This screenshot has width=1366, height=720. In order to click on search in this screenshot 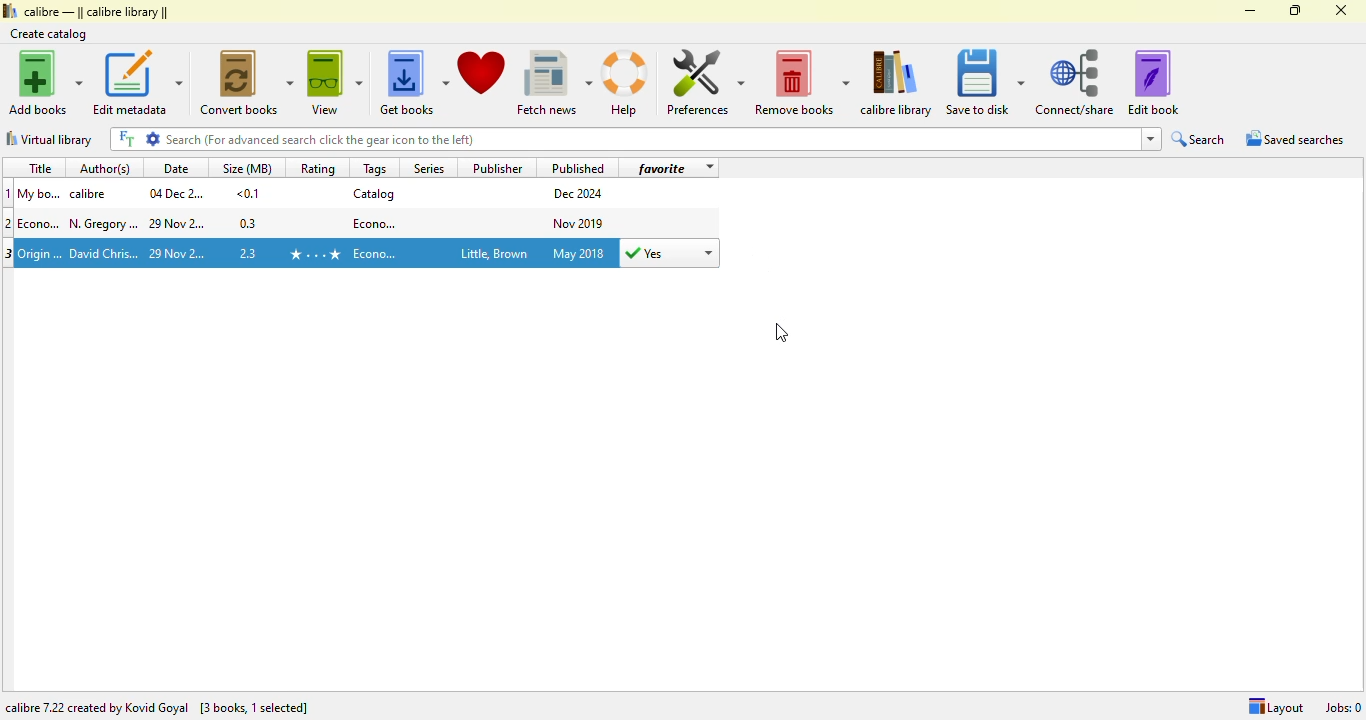, I will do `click(1199, 139)`.